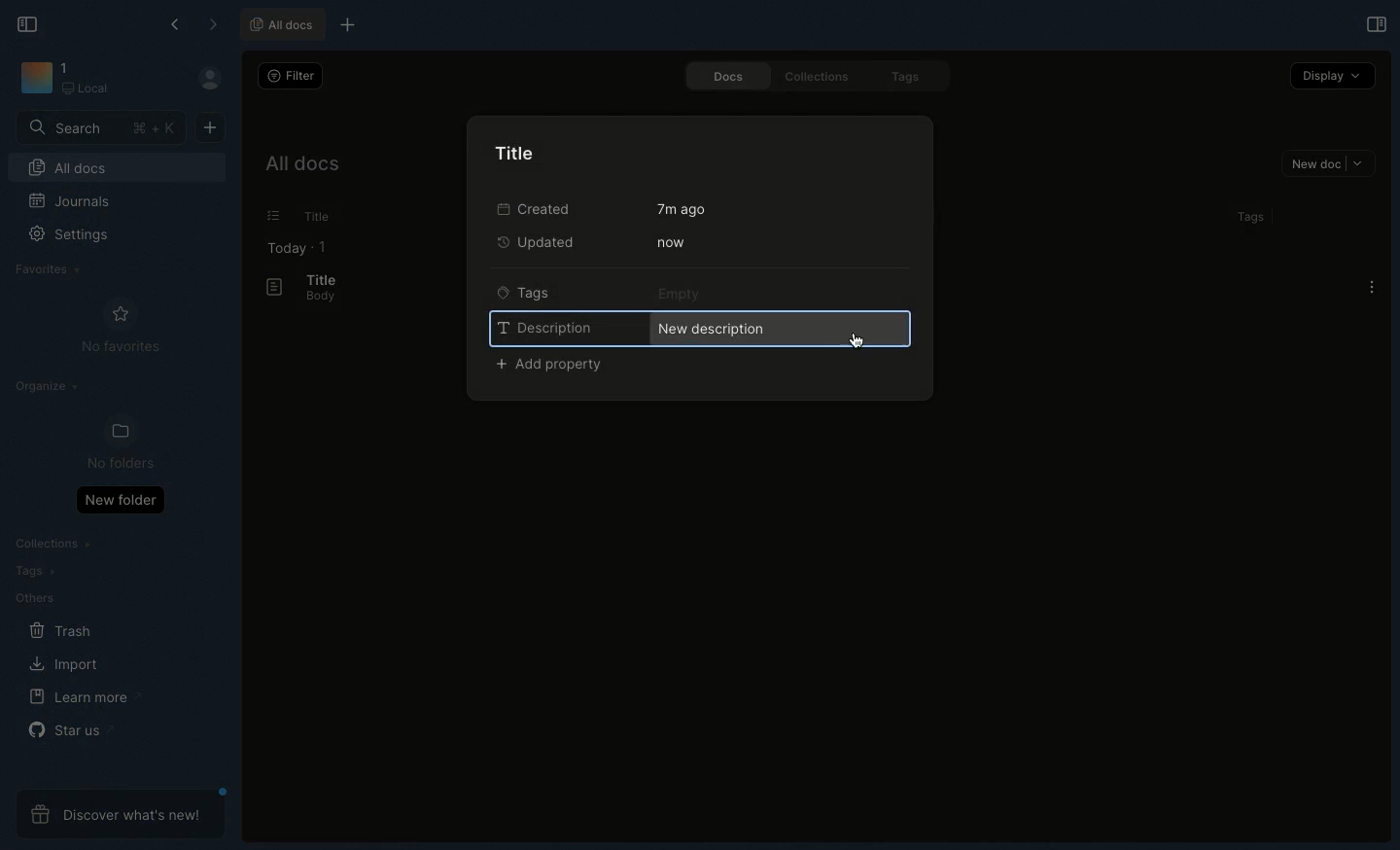 The image size is (1400, 850). Describe the element at coordinates (542, 241) in the screenshot. I see `Updated` at that location.